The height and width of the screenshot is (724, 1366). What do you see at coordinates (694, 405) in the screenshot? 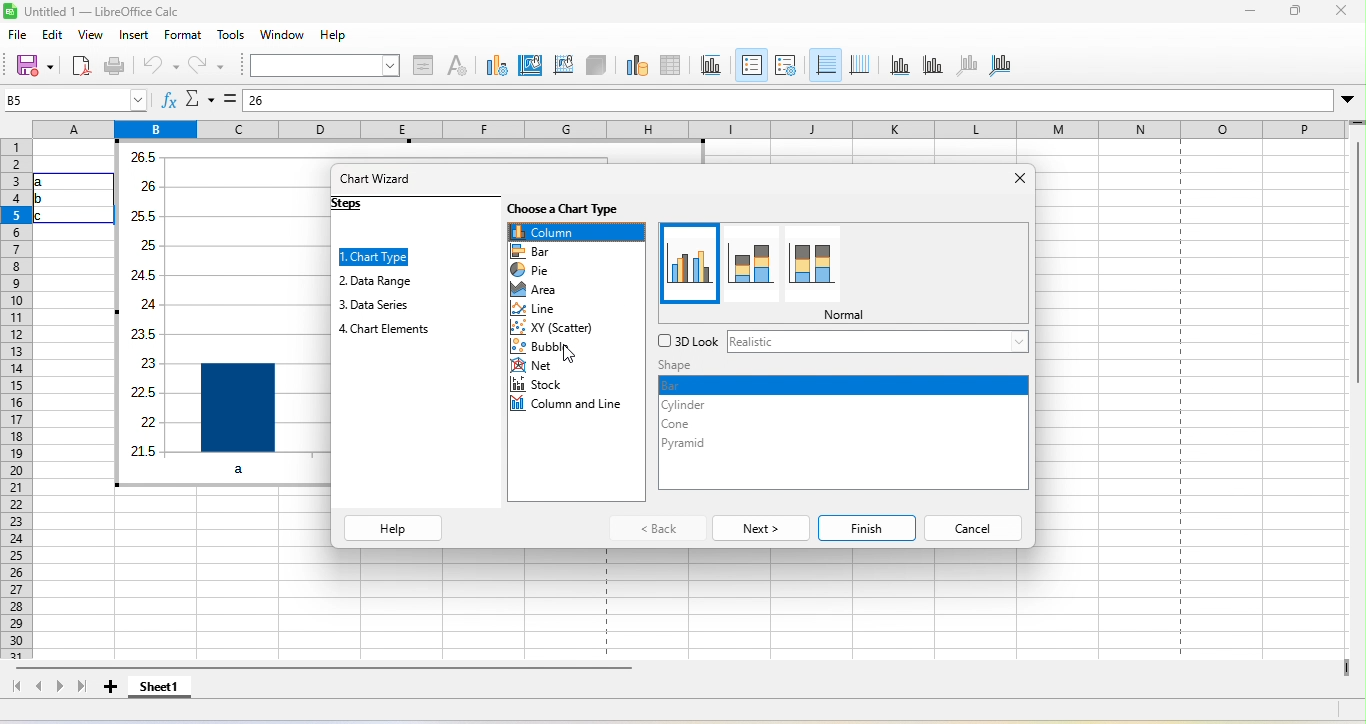
I see `cylinder` at bounding box center [694, 405].